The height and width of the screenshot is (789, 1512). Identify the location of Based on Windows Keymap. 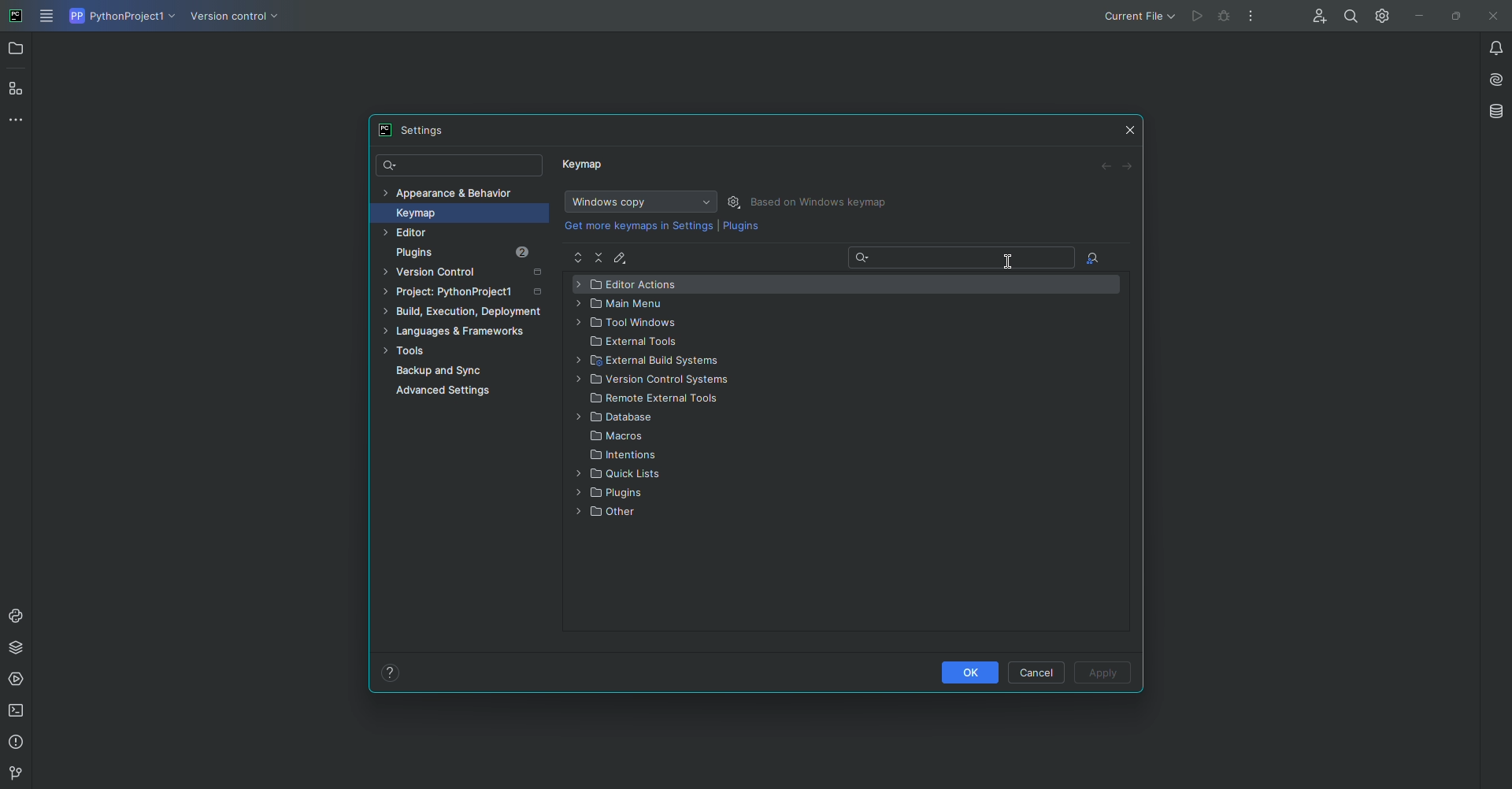
(822, 202).